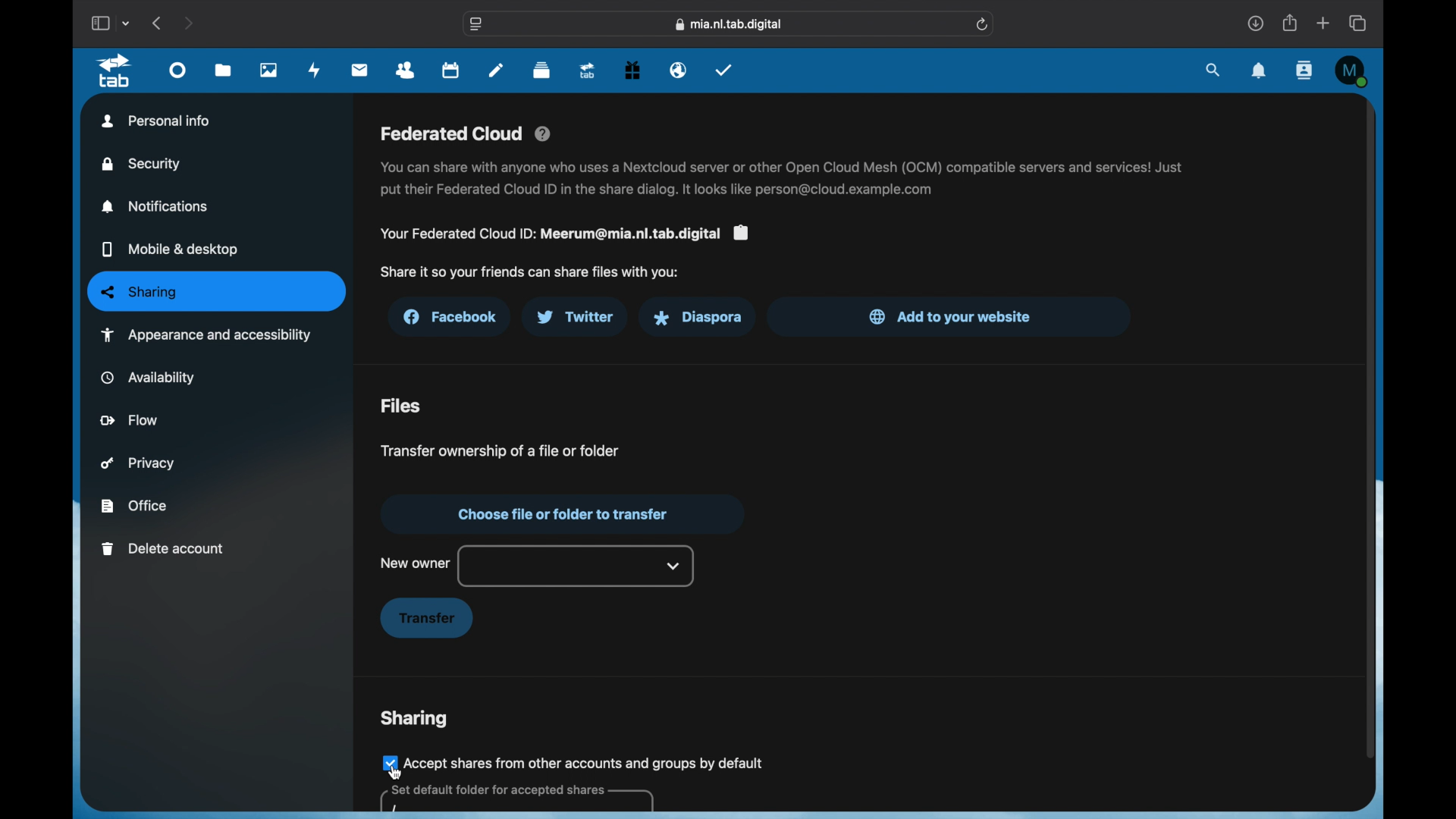  What do you see at coordinates (149, 377) in the screenshot?
I see `availability` at bounding box center [149, 377].